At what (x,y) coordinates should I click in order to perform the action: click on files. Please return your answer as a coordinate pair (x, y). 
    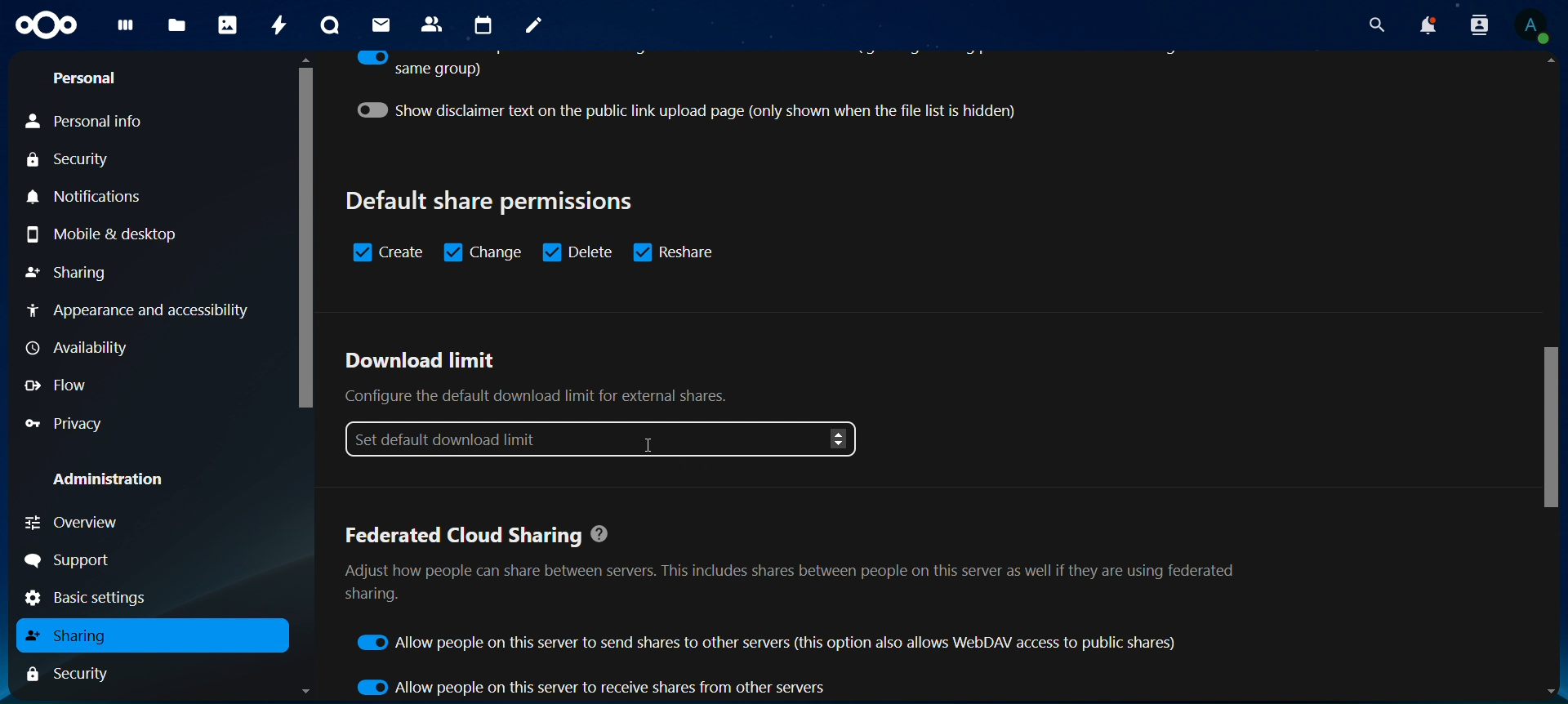
    Looking at the image, I should click on (178, 27).